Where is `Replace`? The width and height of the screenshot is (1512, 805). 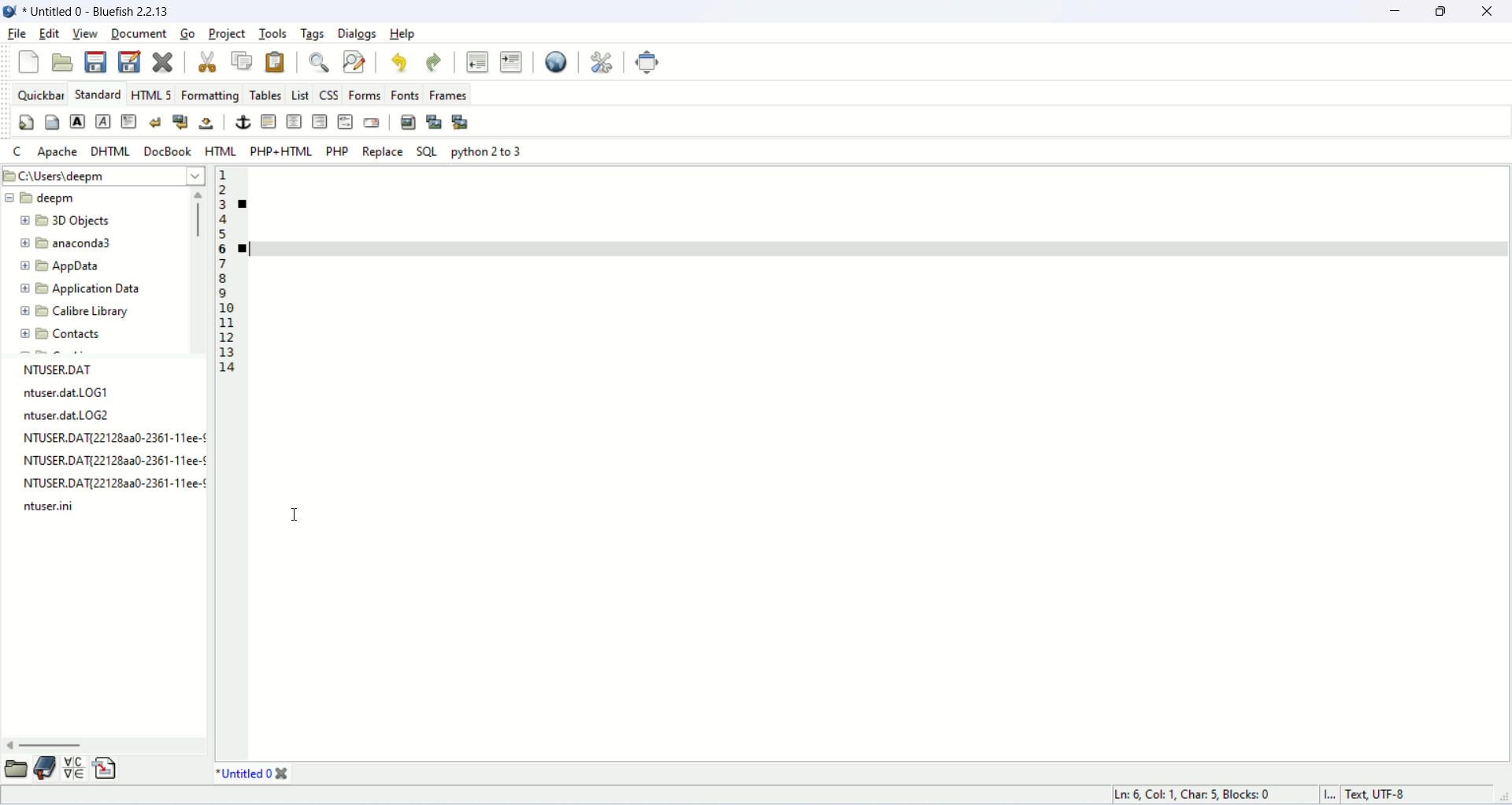 Replace is located at coordinates (381, 152).